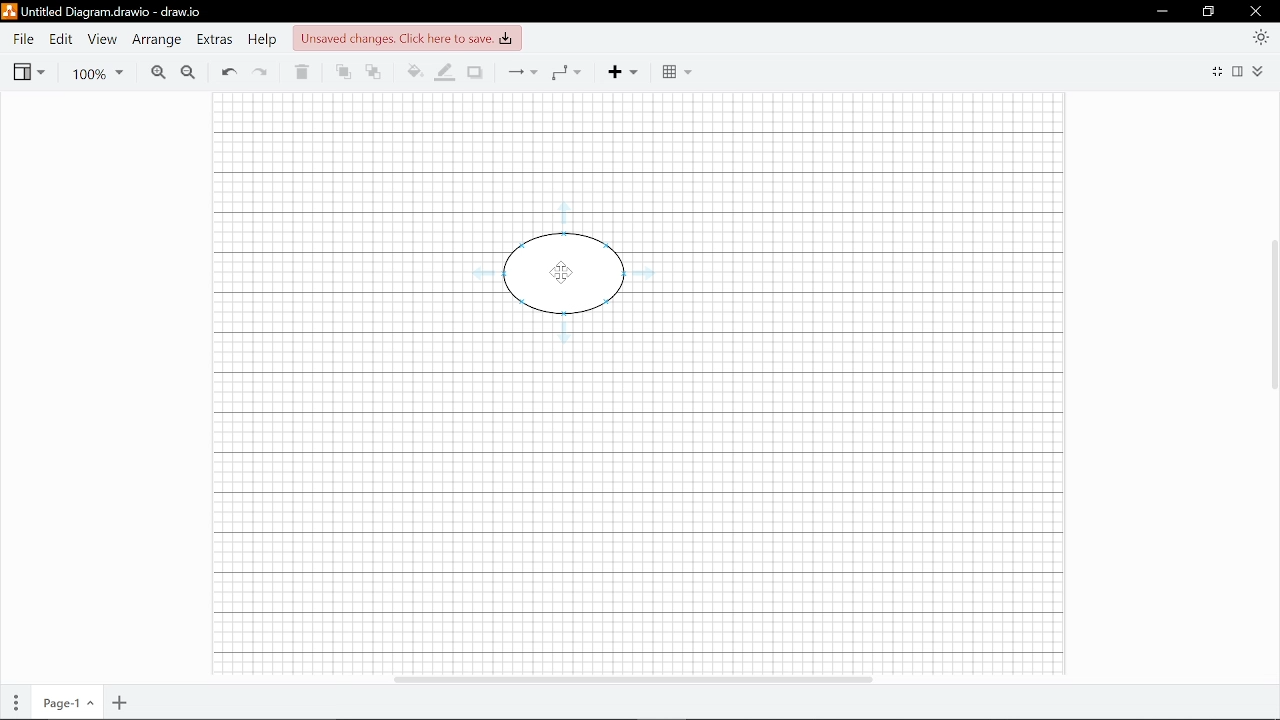 This screenshot has width=1280, height=720. What do you see at coordinates (157, 73) in the screenshot?
I see `Zoom in` at bounding box center [157, 73].